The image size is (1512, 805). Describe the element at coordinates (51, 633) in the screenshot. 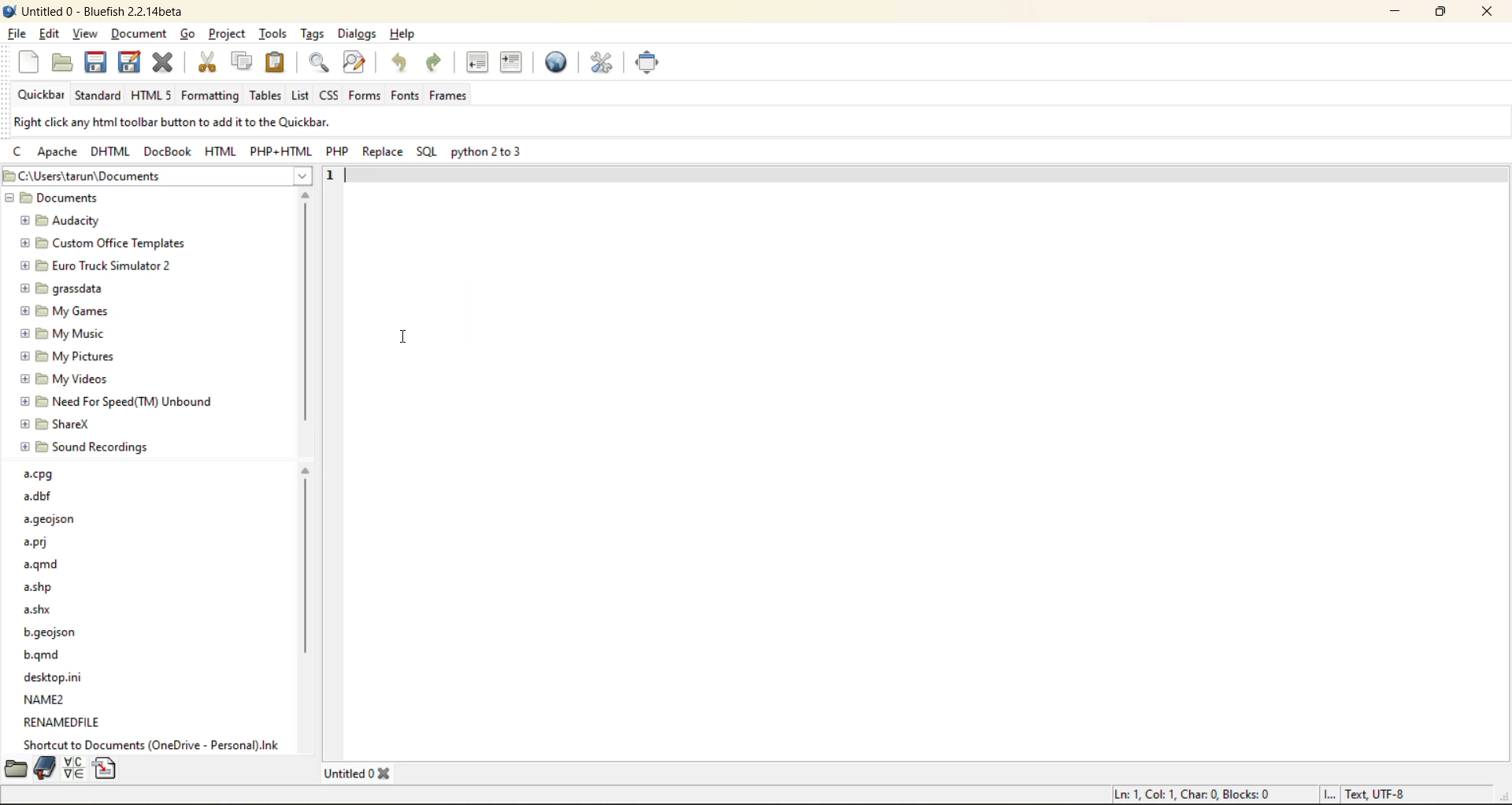

I see `b.geojson` at that location.